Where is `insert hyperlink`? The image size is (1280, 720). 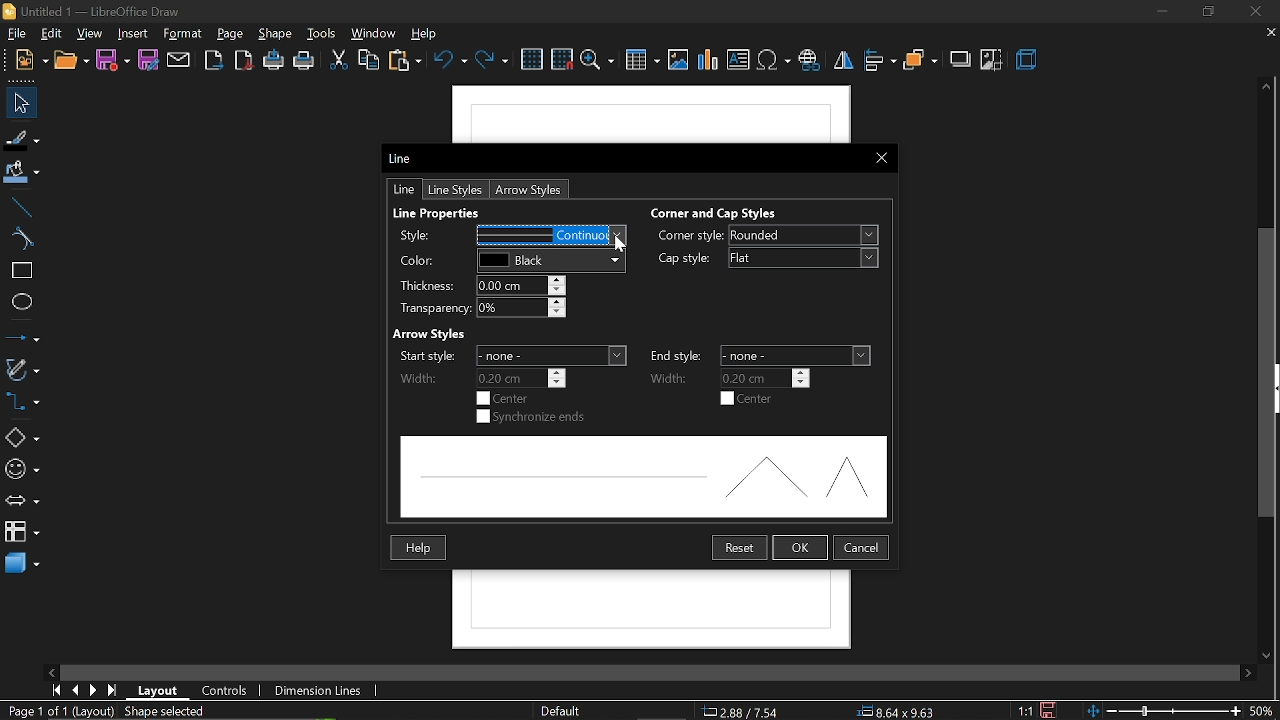
insert hyperlink is located at coordinates (808, 60).